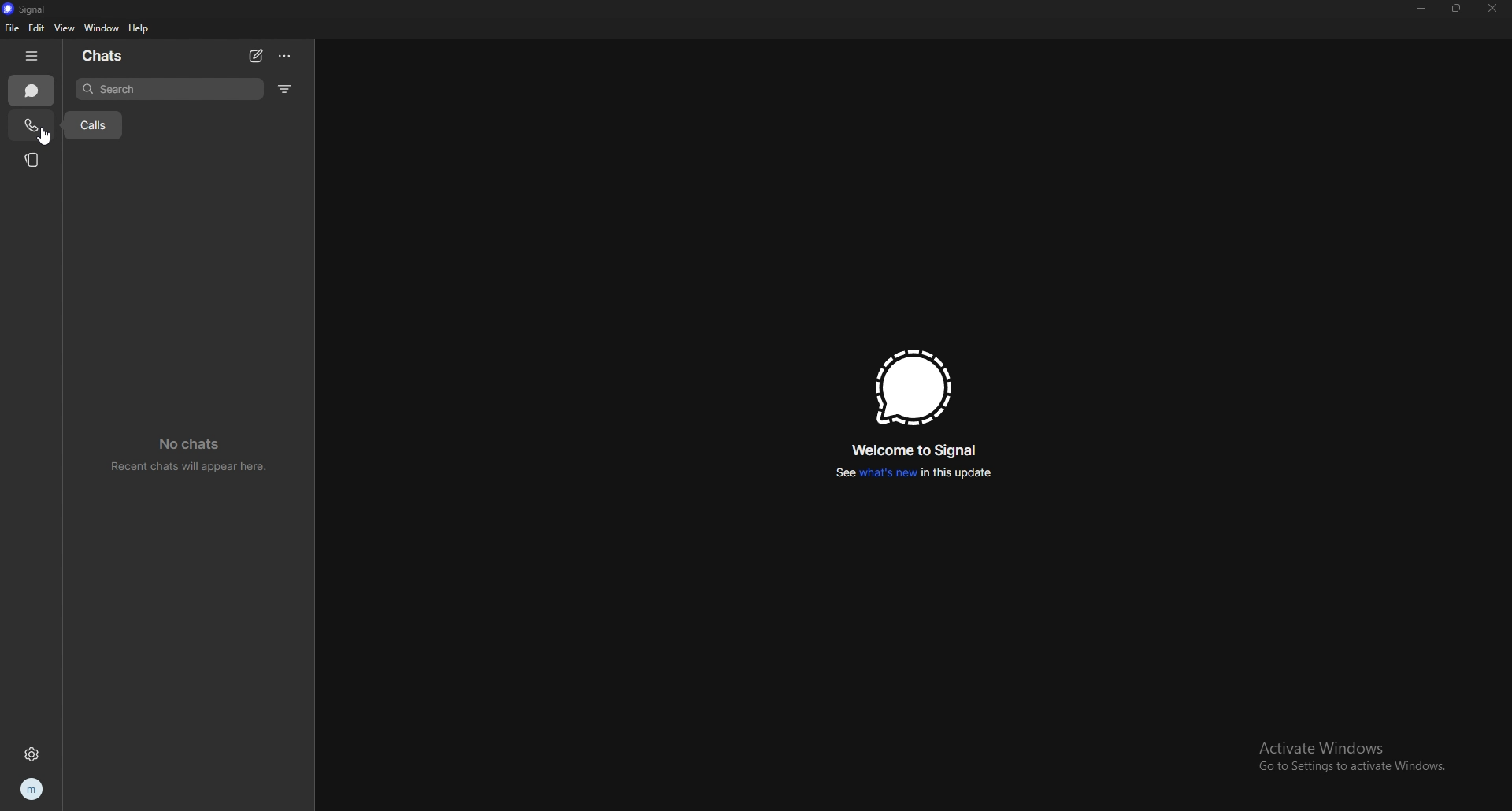 This screenshot has height=811, width=1512. What do you see at coordinates (125, 55) in the screenshot?
I see `chats` at bounding box center [125, 55].